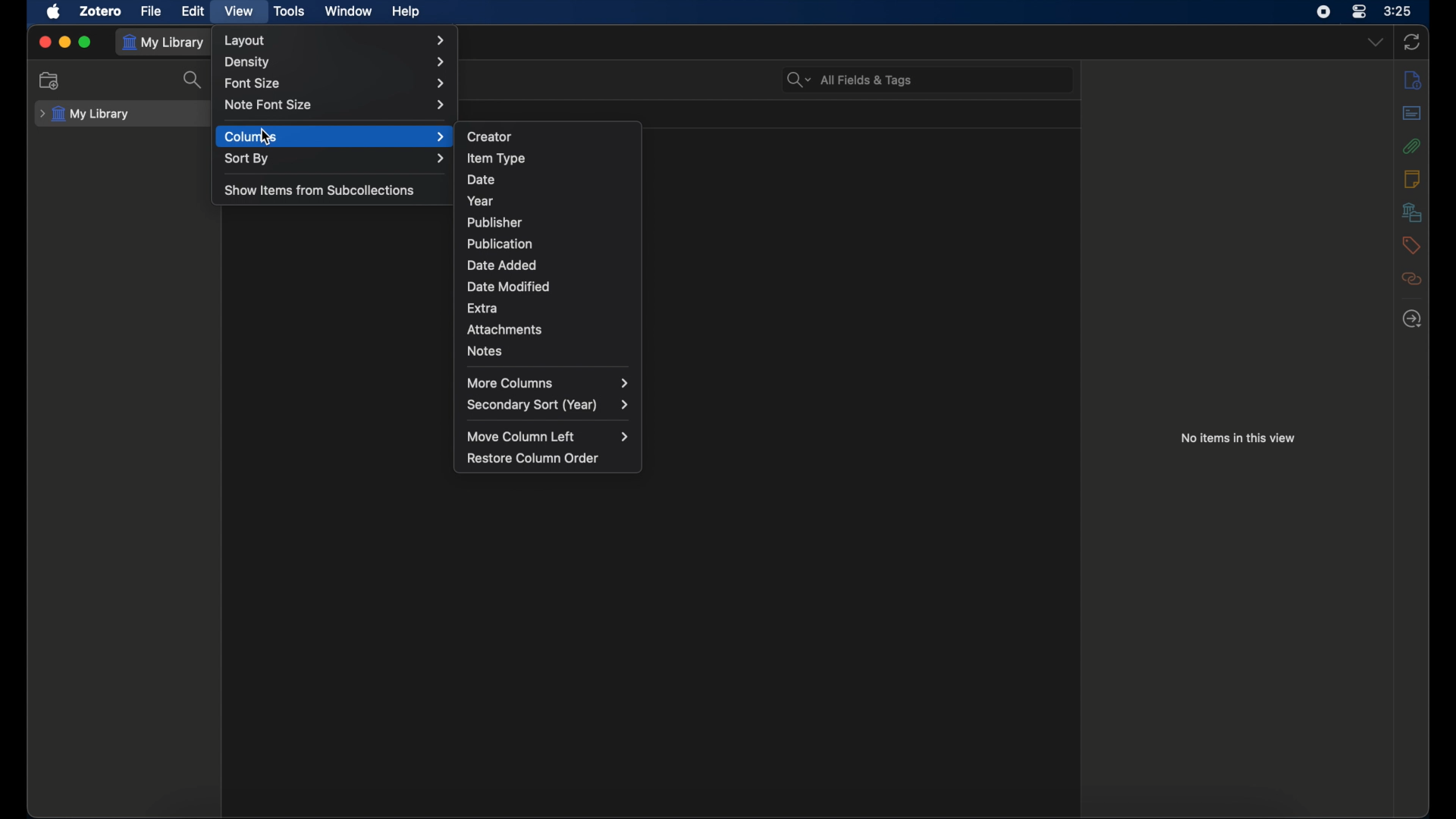 This screenshot has width=1456, height=819. I want to click on file, so click(152, 11).